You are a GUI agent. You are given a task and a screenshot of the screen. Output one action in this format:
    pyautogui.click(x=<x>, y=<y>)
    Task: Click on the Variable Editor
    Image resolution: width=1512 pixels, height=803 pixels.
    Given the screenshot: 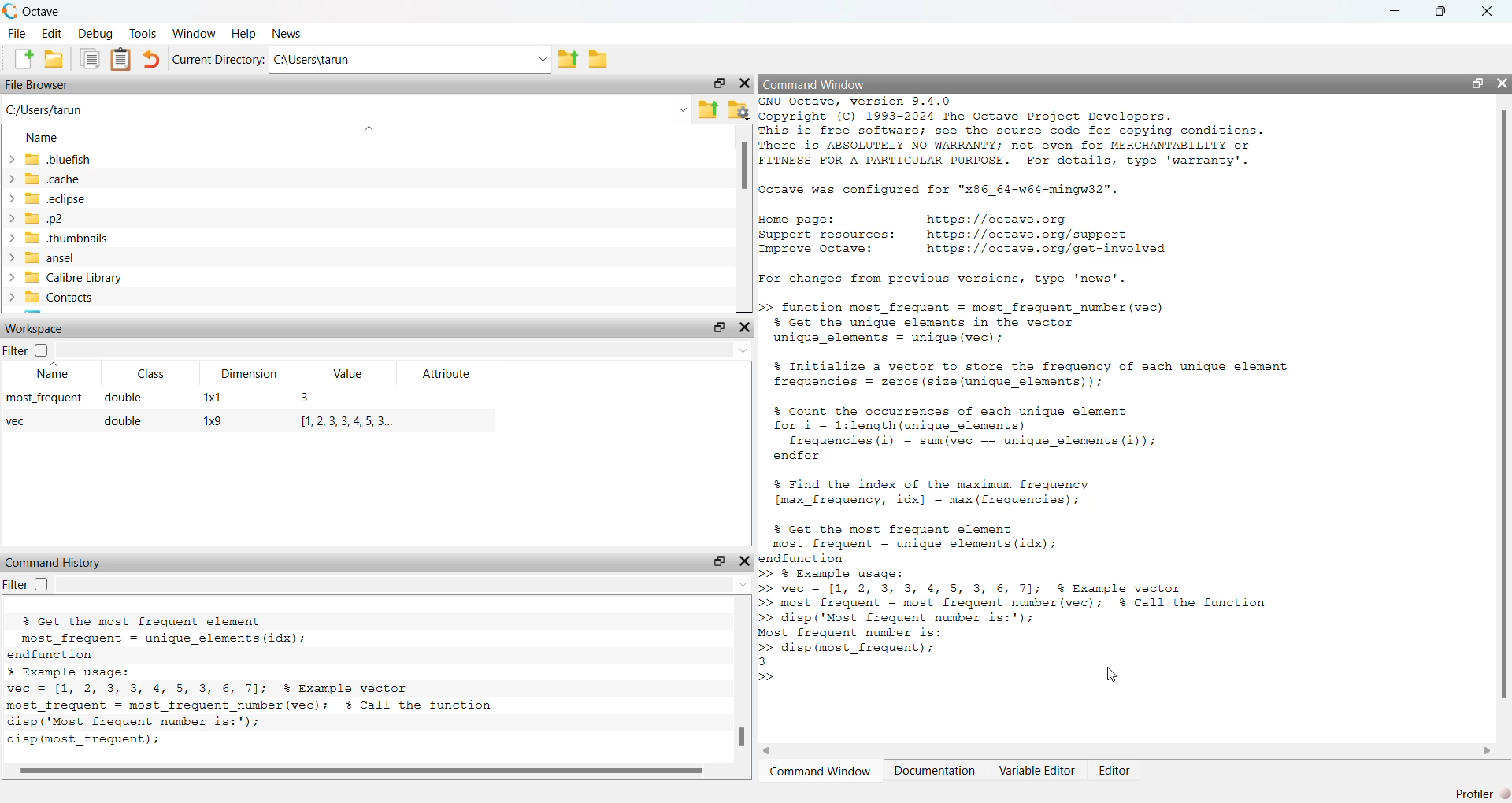 What is the action you would take?
    pyautogui.click(x=1036, y=771)
    